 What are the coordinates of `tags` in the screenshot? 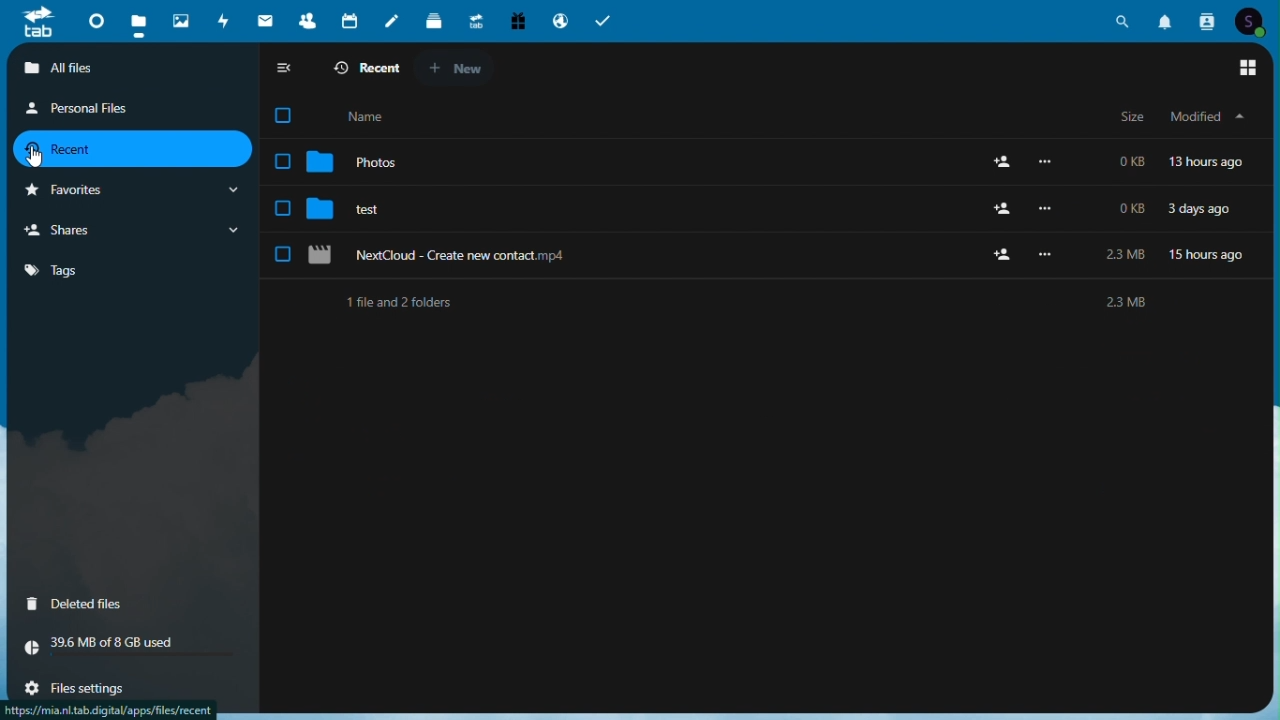 It's located at (73, 274).